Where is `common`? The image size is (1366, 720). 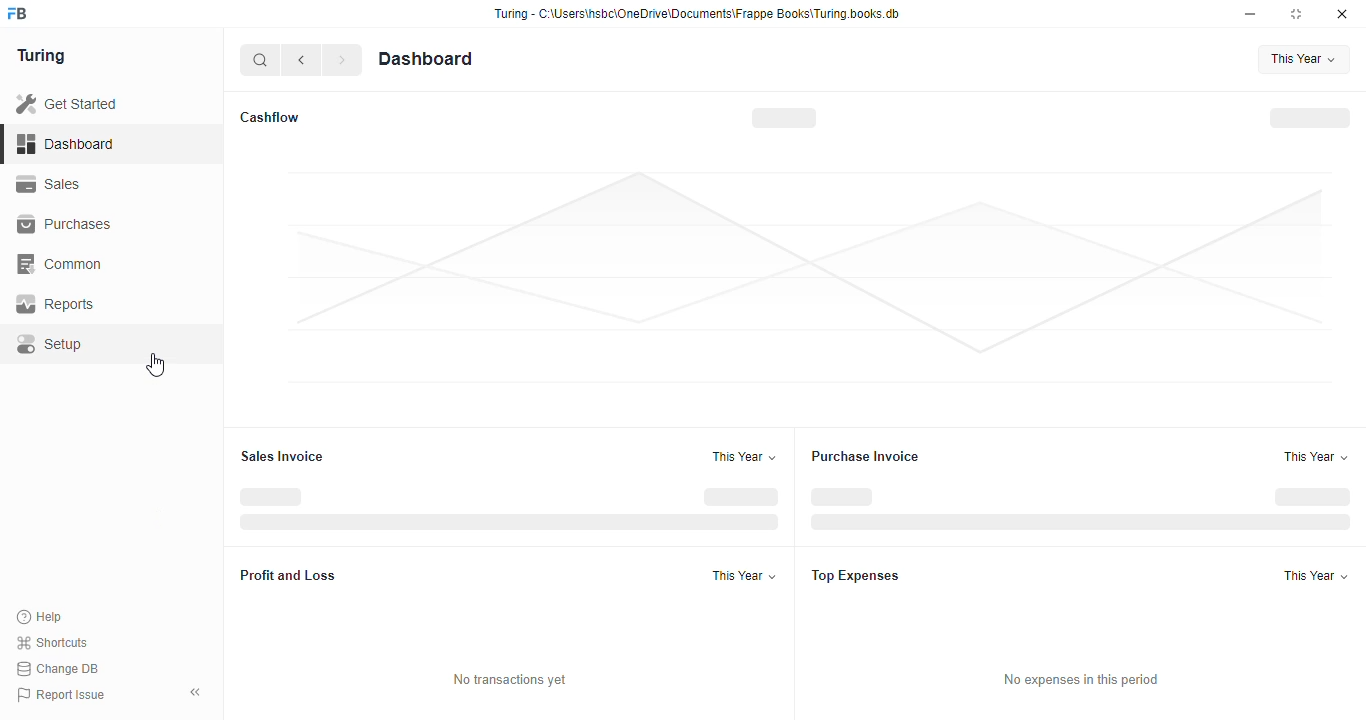 common is located at coordinates (61, 264).